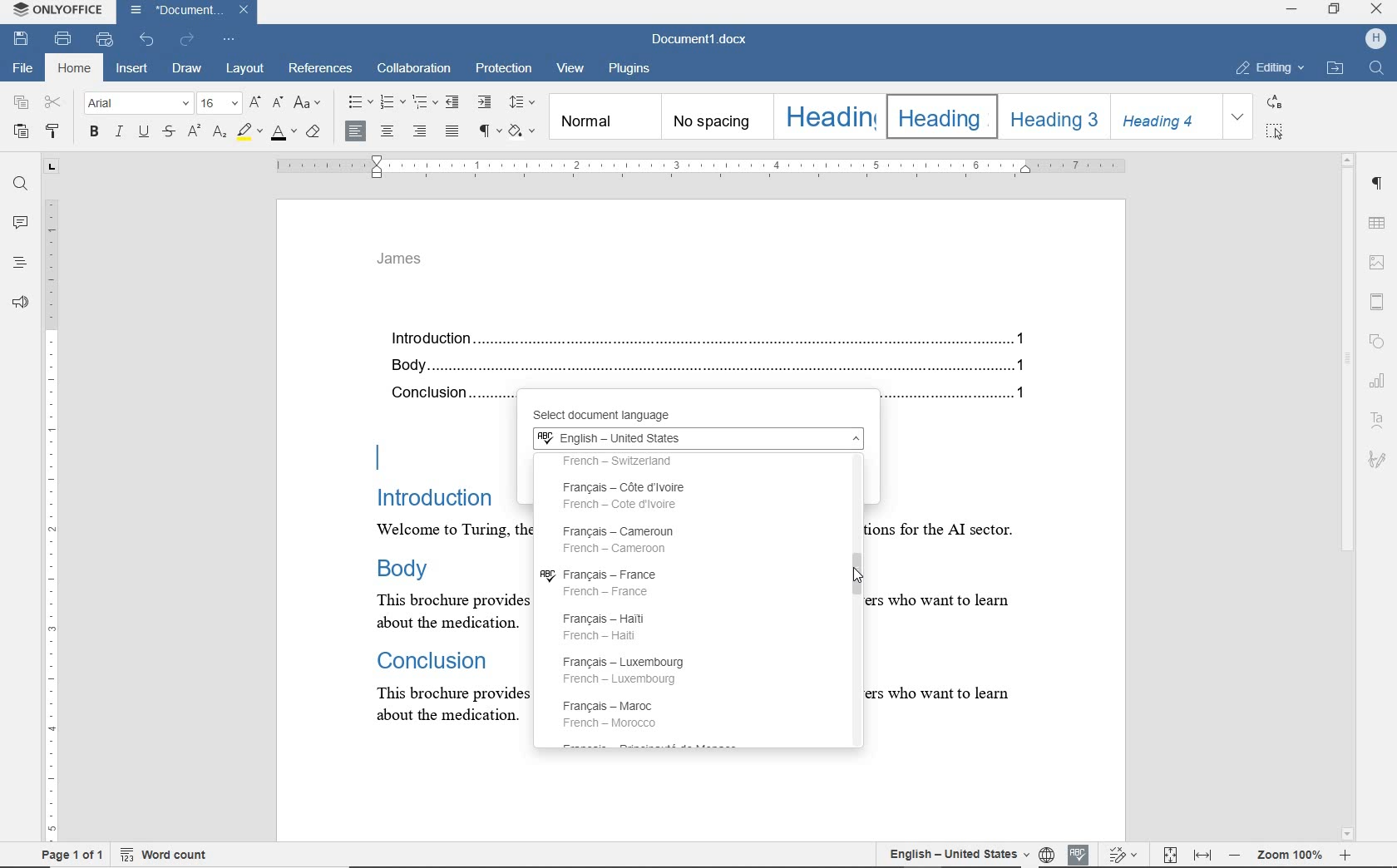  I want to click on Heading 2, so click(938, 116).